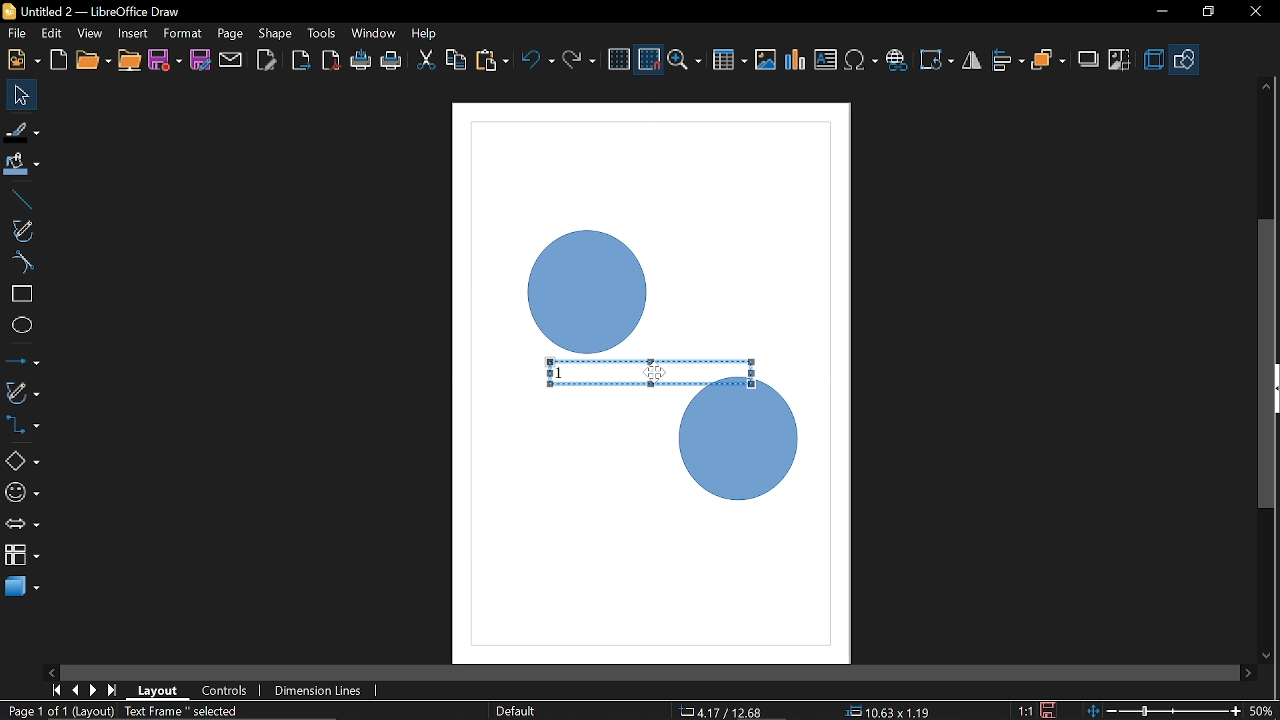 The image size is (1280, 720). Describe the element at coordinates (1262, 710) in the screenshot. I see `Current zoom` at that location.